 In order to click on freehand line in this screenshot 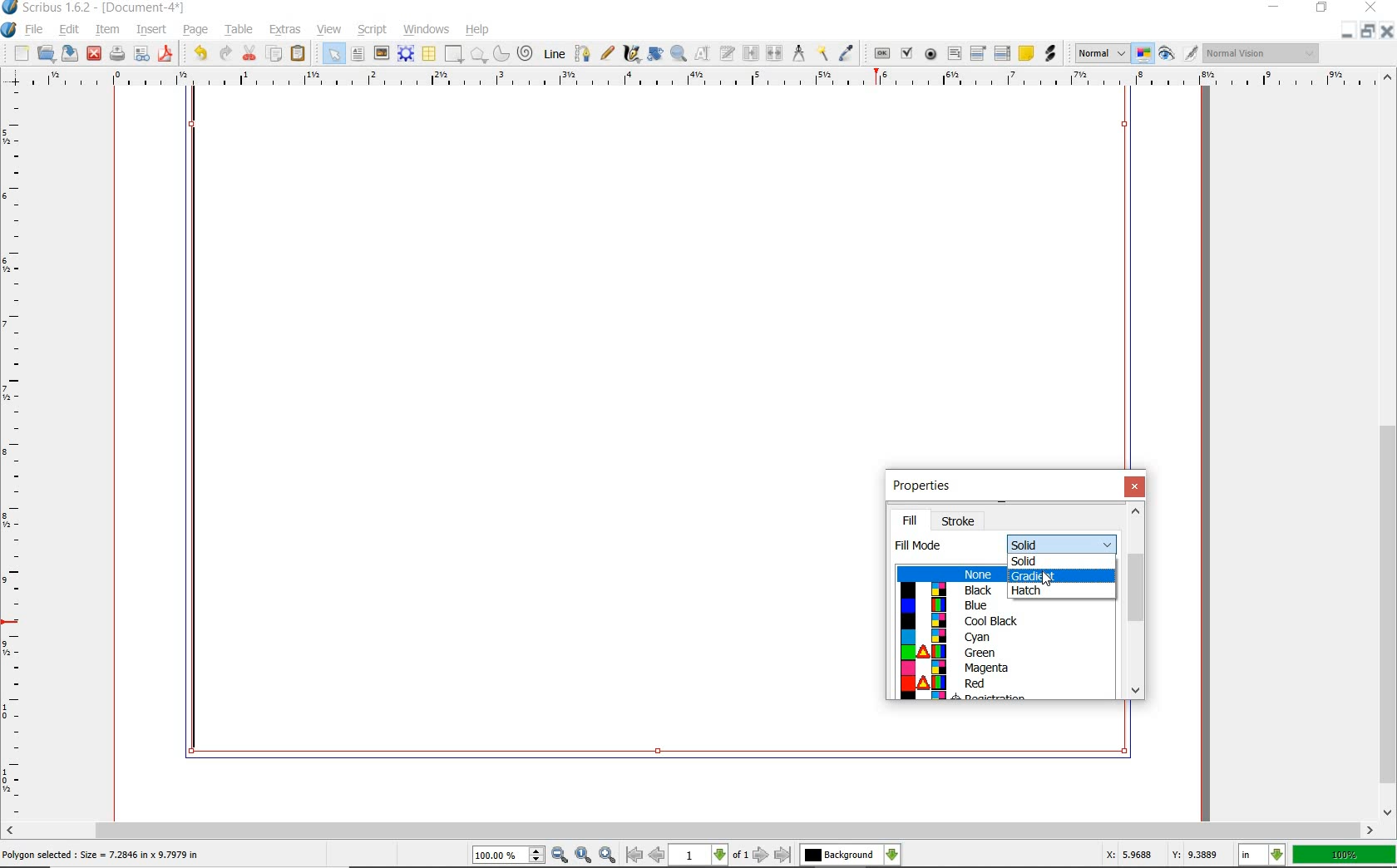, I will do `click(609, 54)`.